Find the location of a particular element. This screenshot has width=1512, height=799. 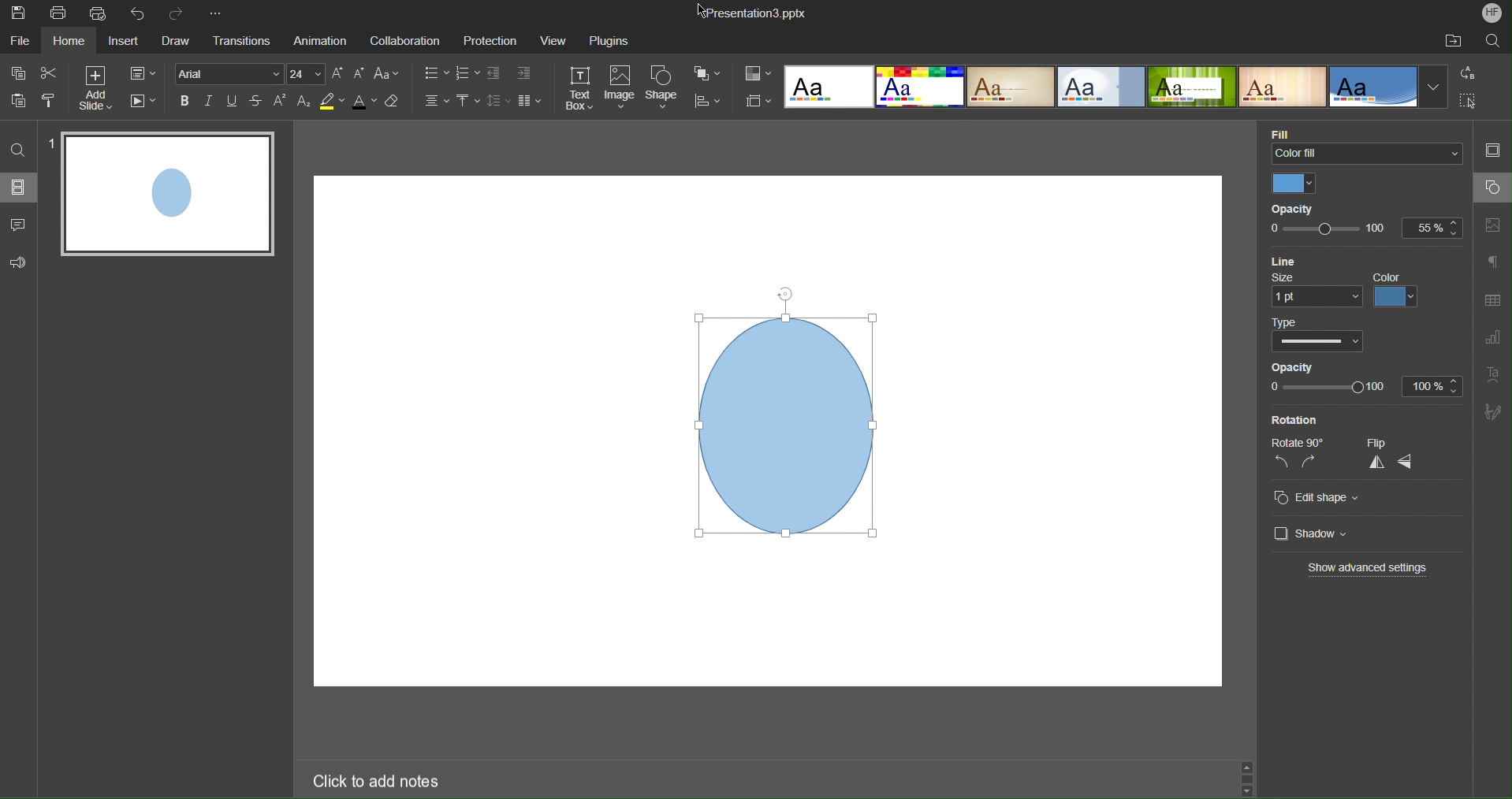

Rotation is located at coordinates (1294, 420).